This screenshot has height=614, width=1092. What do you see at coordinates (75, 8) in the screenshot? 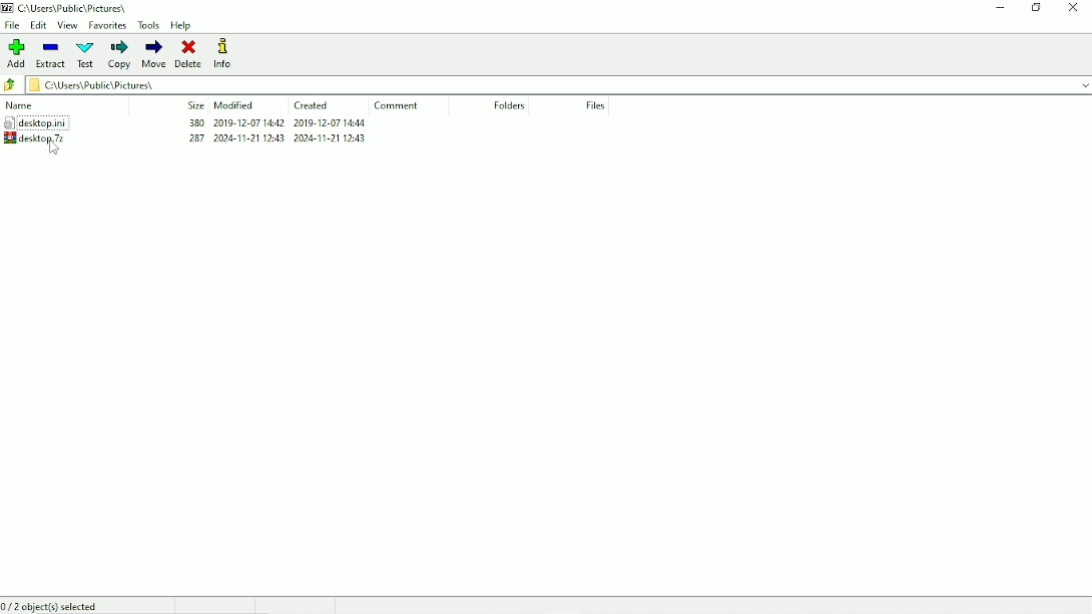
I see `C\Users\Pubhc\ Pictures,` at bounding box center [75, 8].